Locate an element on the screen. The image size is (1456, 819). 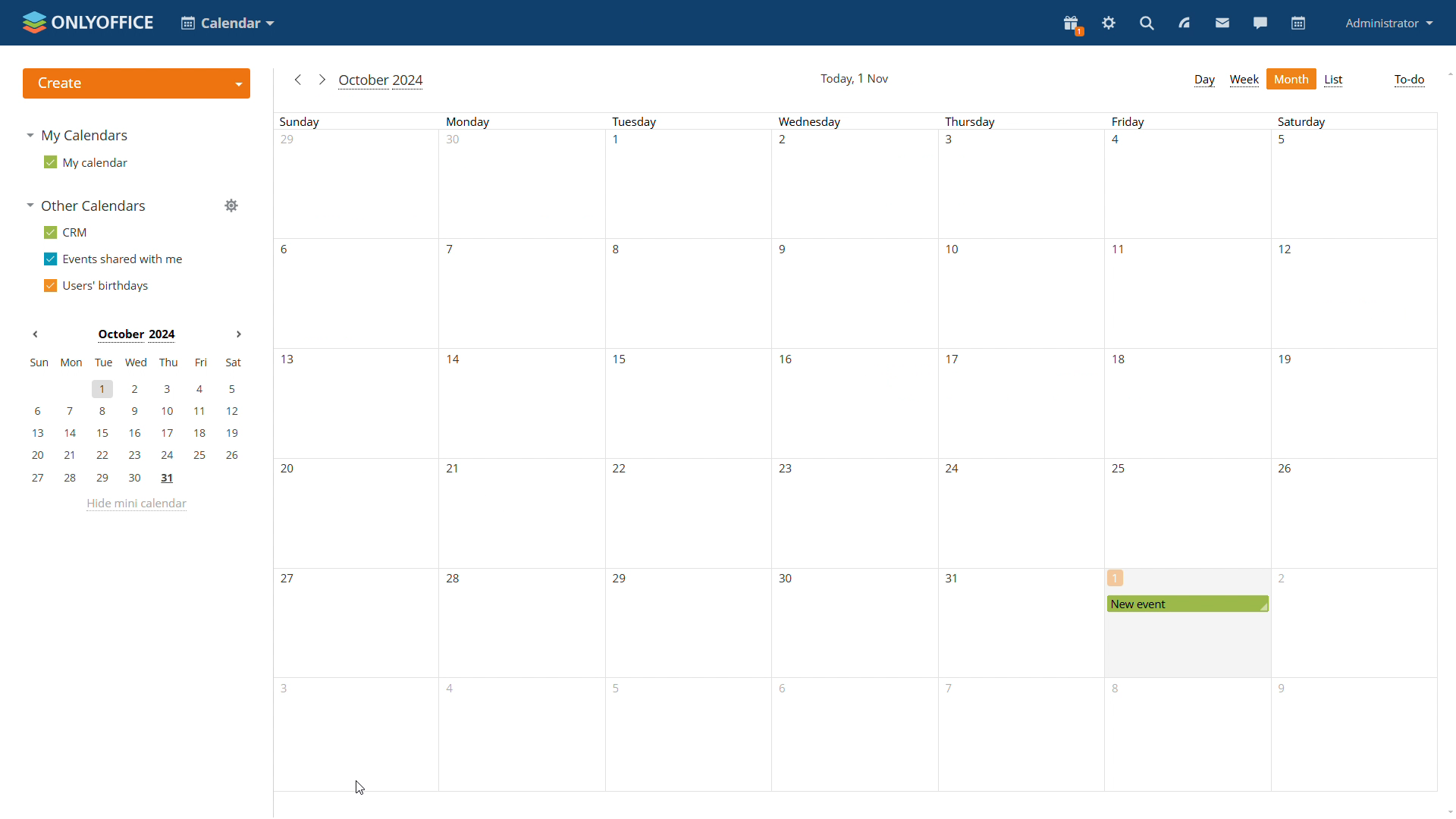
search is located at coordinates (1146, 24).